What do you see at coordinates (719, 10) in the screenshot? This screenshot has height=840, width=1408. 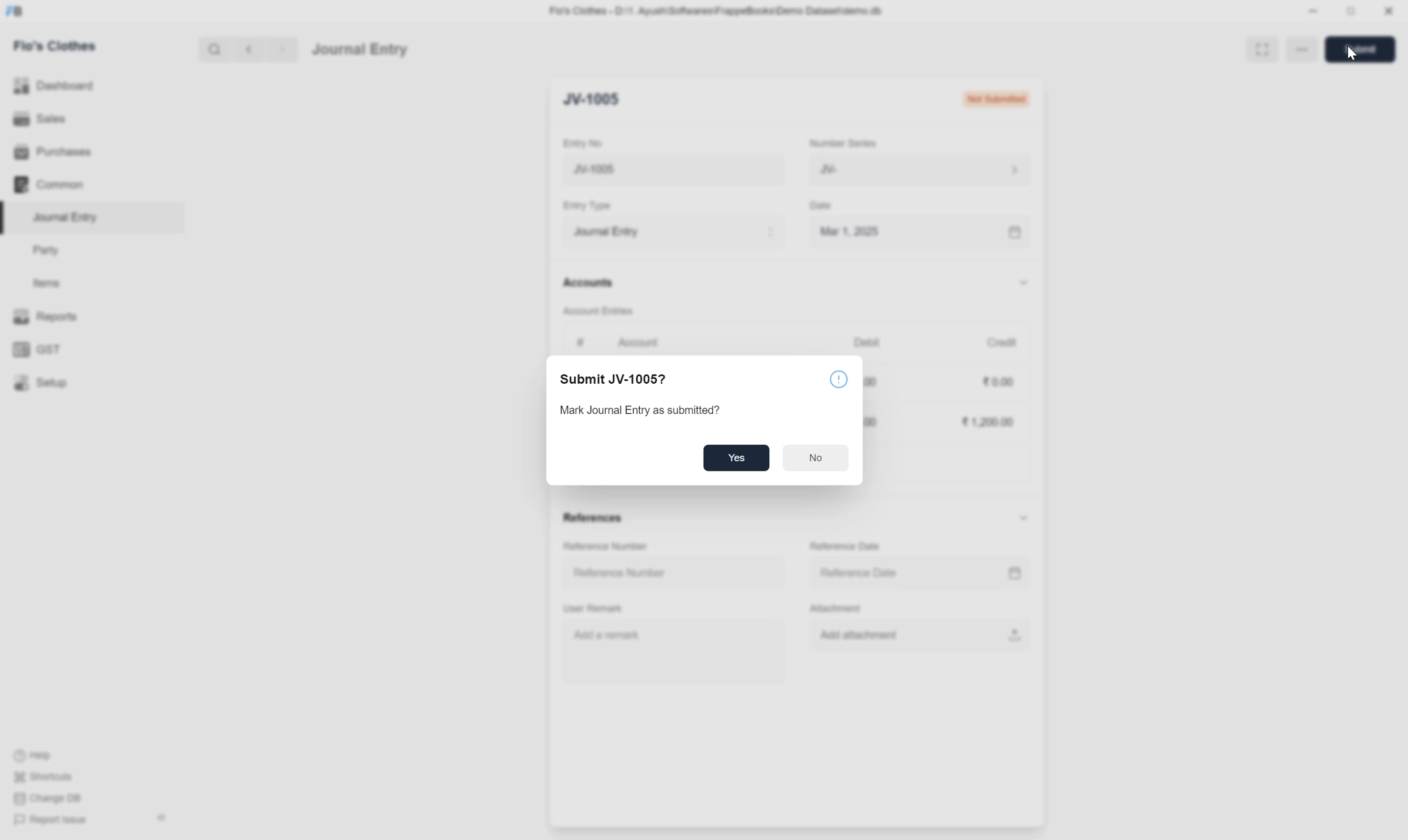 I see `Flo's Clothes - D:\1. Ayush\Softwares\FrappeBooks\Demo Dataset\demo.db` at bounding box center [719, 10].